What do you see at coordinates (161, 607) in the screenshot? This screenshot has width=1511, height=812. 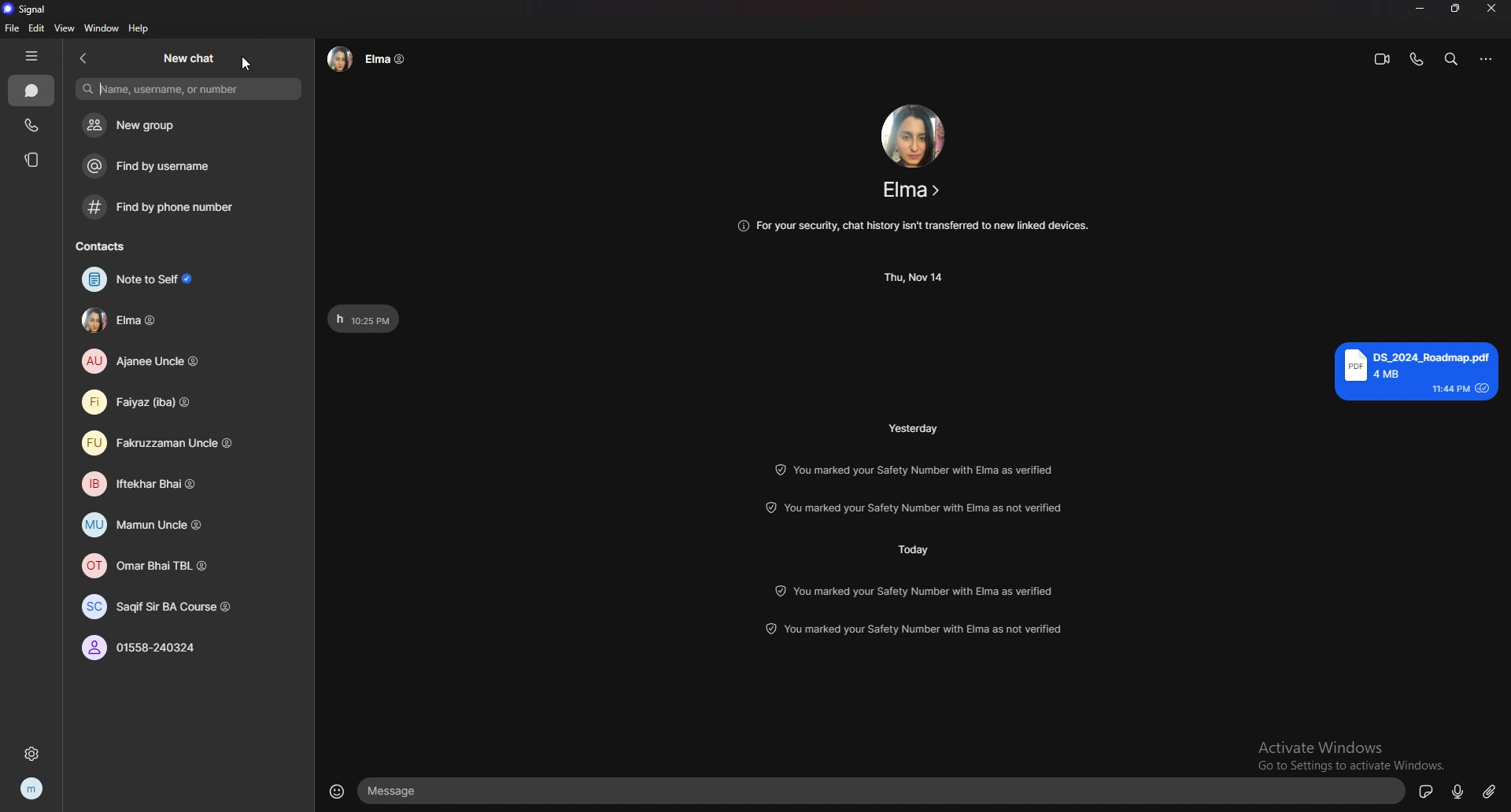 I see `contact` at bounding box center [161, 607].